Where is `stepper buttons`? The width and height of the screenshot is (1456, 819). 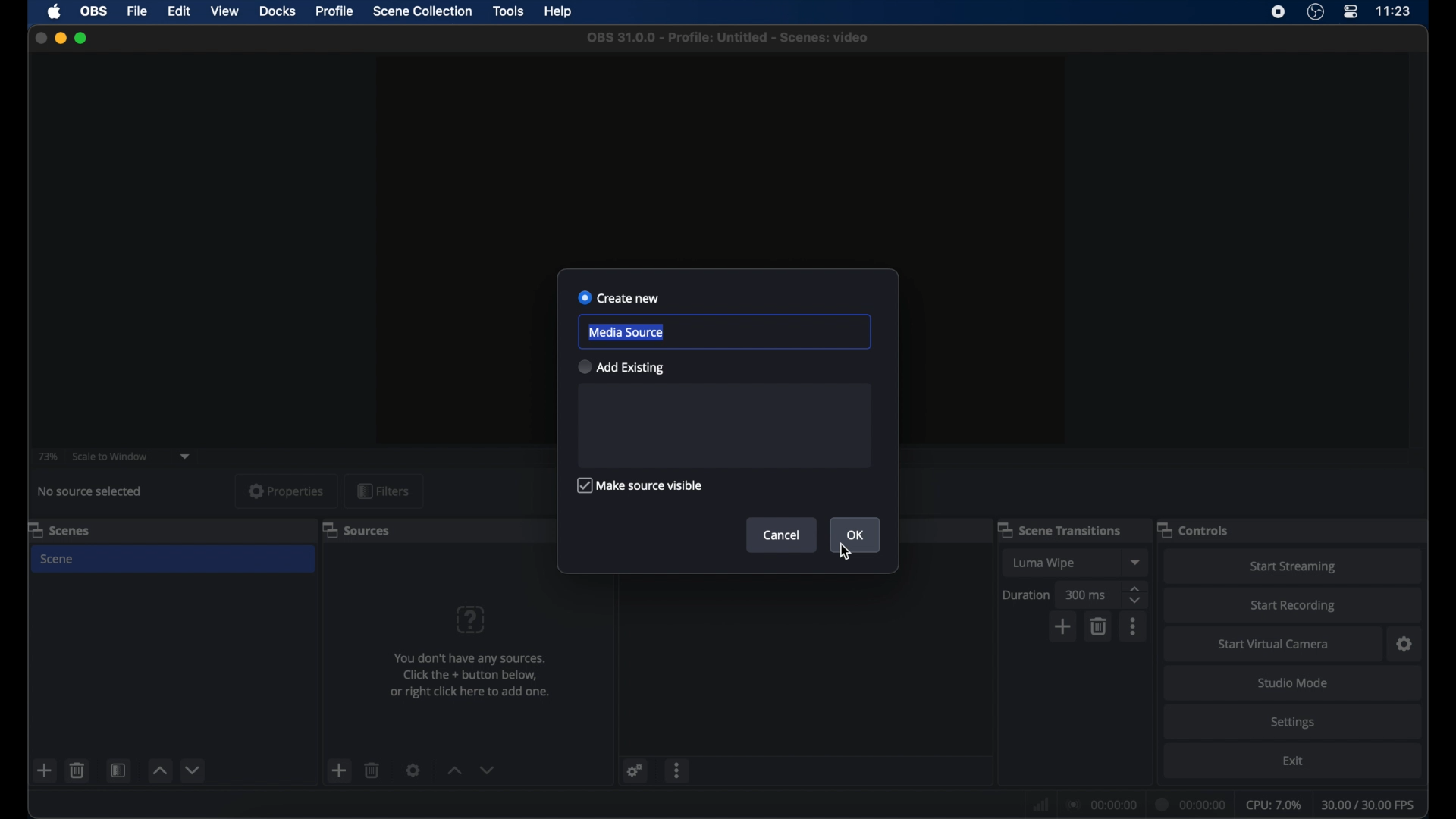
stepper buttons is located at coordinates (1134, 595).